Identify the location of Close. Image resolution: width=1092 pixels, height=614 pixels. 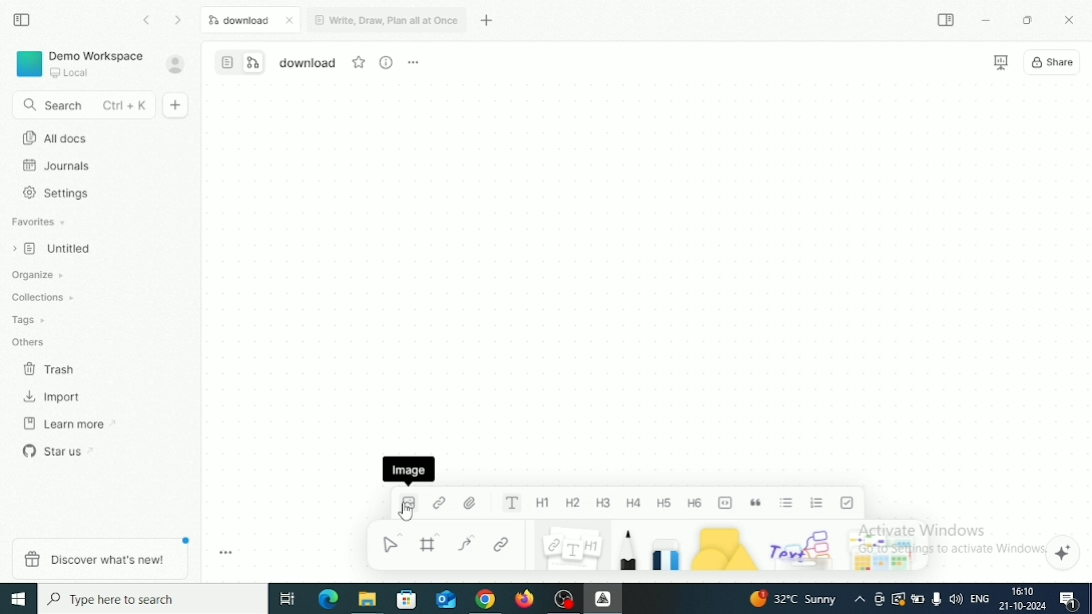
(1069, 21).